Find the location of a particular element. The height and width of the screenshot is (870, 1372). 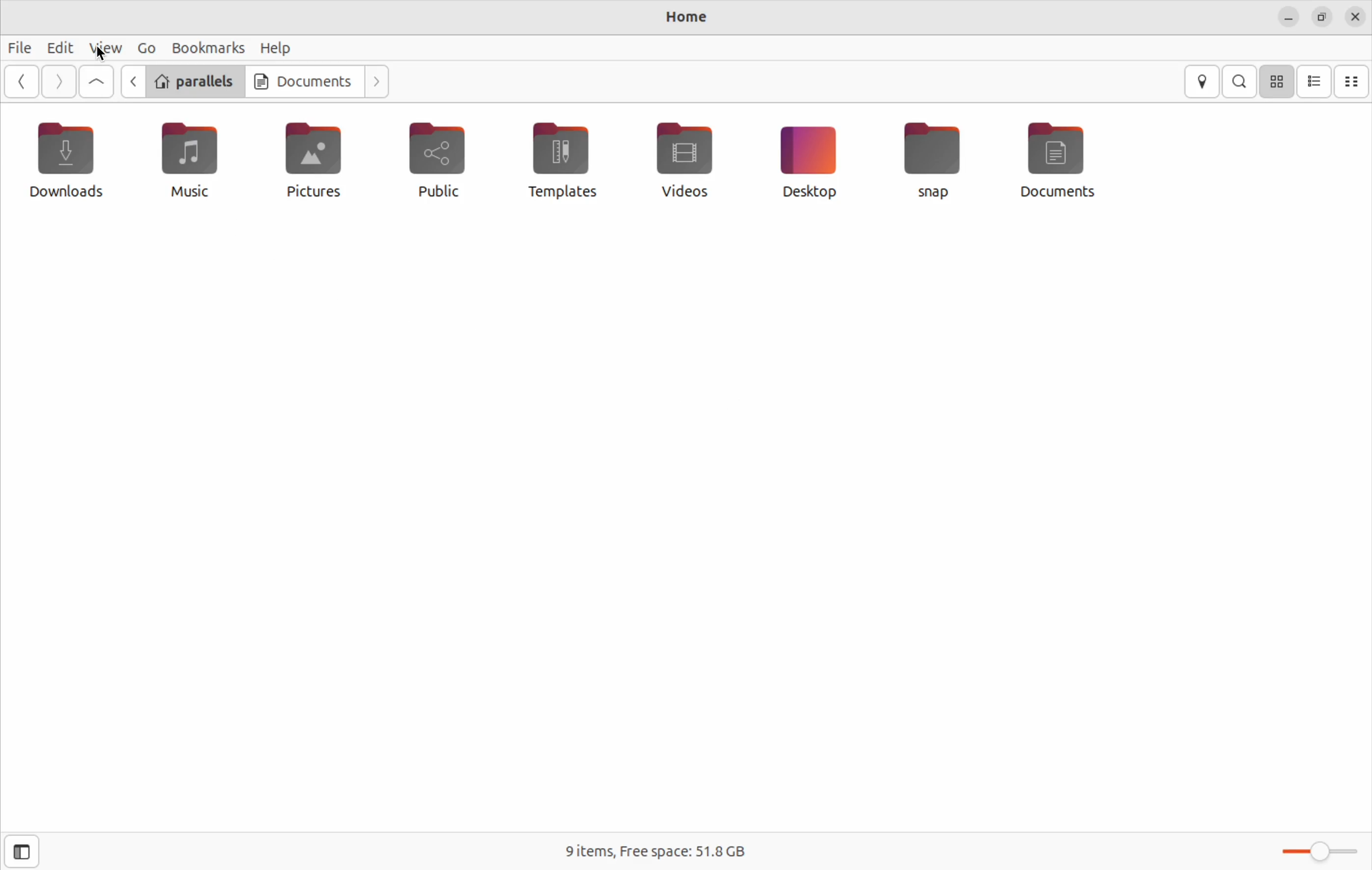

resize is located at coordinates (1325, 19).